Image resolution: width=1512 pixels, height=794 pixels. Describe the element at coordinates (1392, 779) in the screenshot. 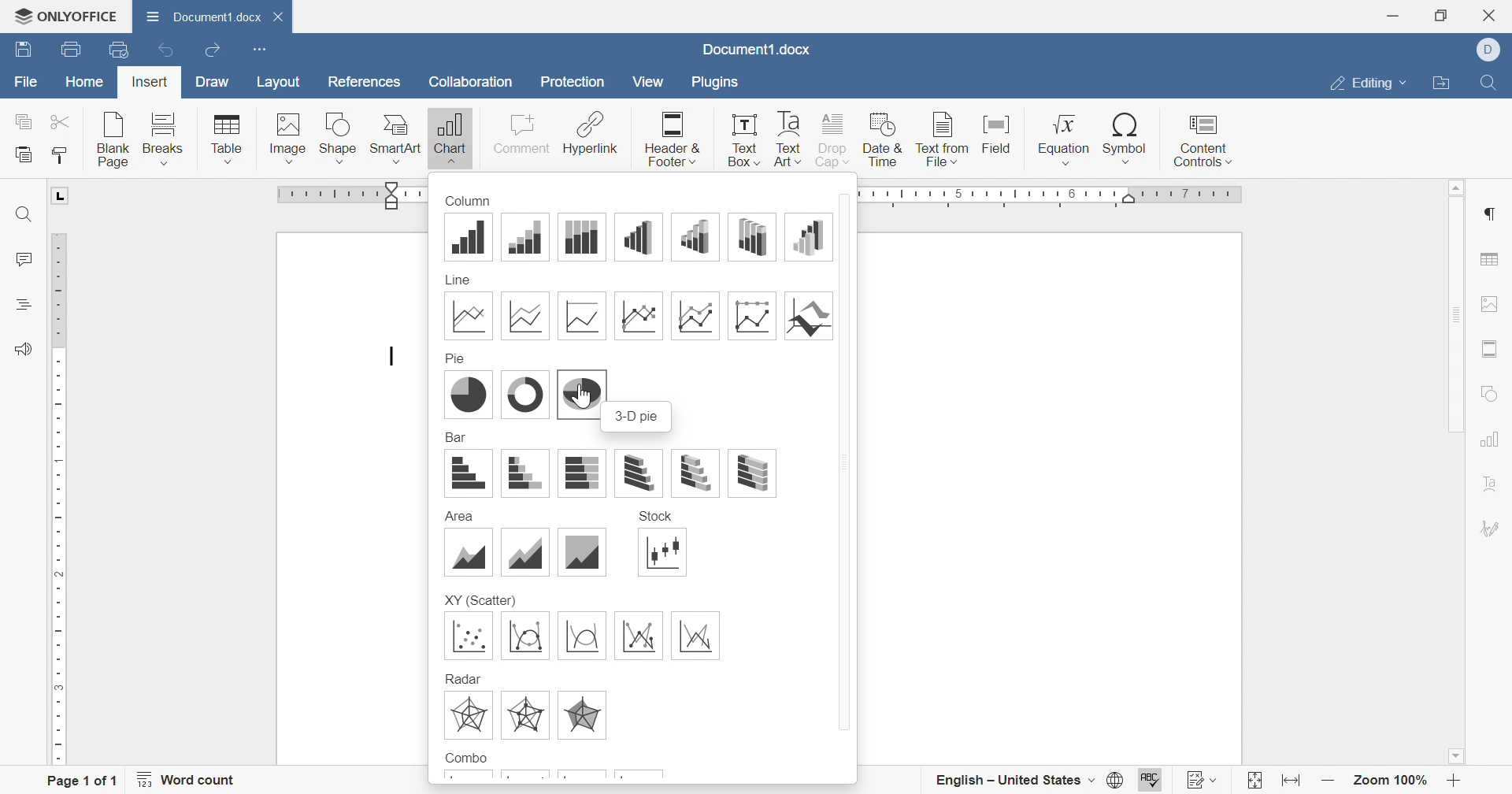

I see `Zoom 100%` at that location.